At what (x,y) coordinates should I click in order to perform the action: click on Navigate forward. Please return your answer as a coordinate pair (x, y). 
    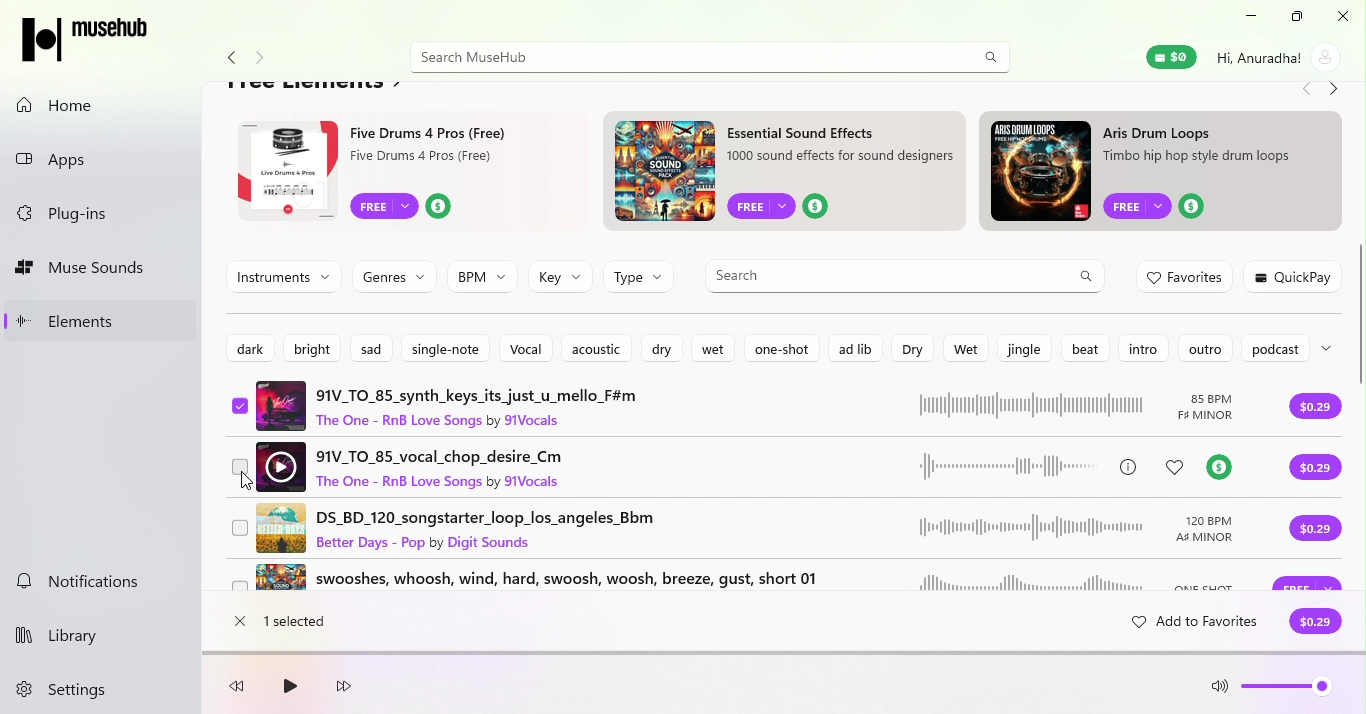
    Looking at the image, I should click on (265, 59).